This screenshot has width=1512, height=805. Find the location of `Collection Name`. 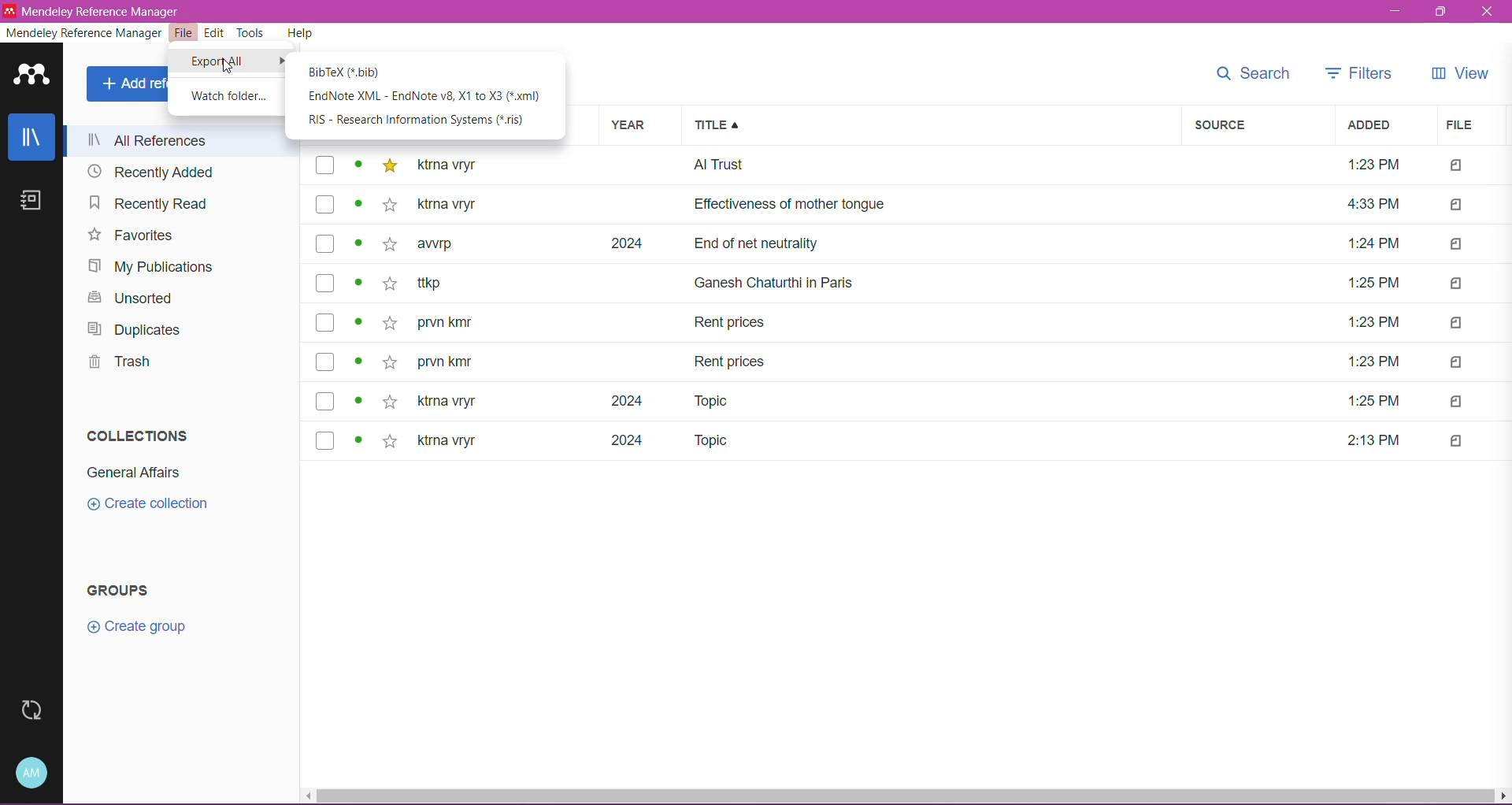

Collection Name is located at coordinates (128, 472).